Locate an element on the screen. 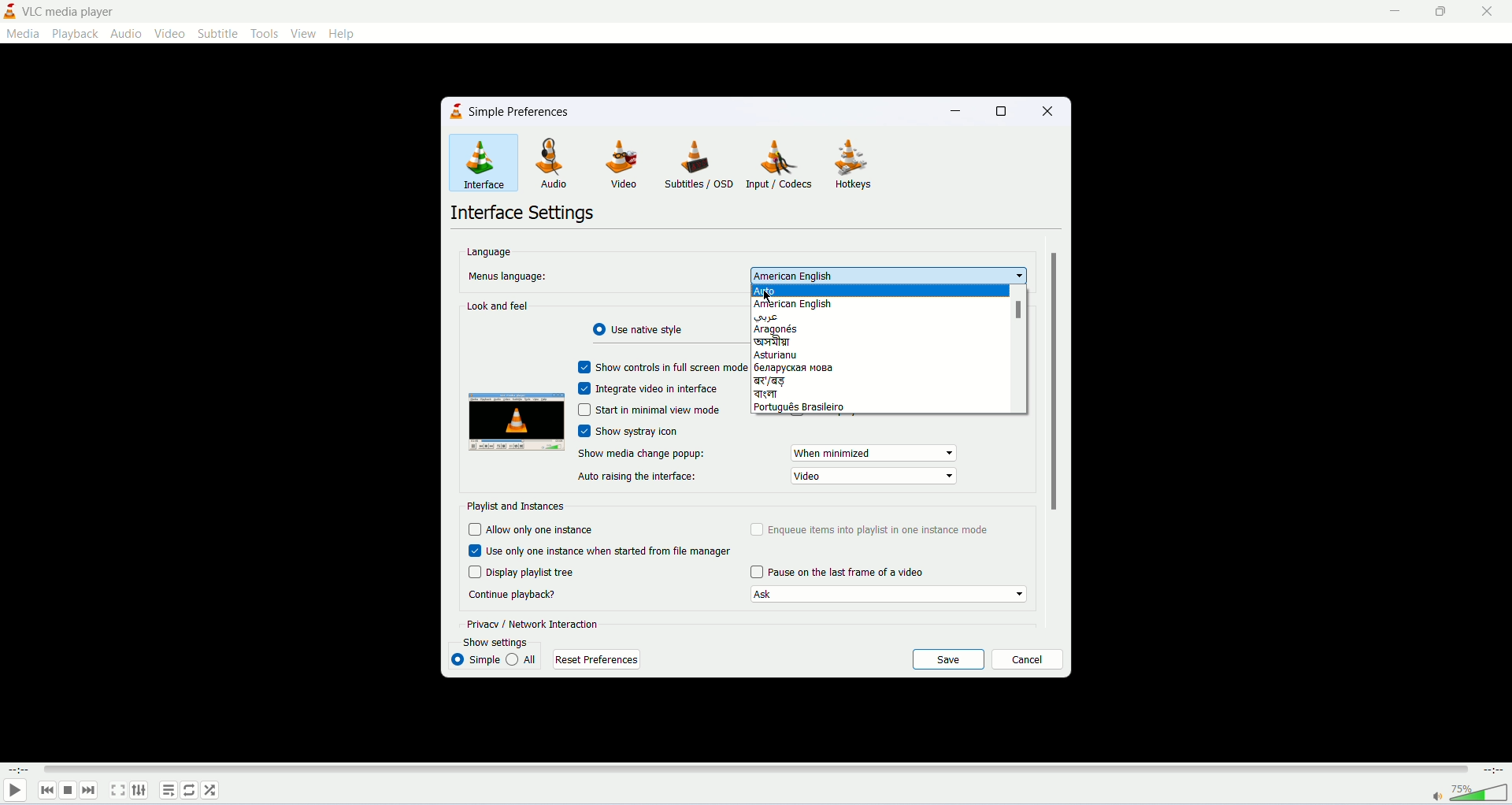  playback is located at coordinates (76, 34).